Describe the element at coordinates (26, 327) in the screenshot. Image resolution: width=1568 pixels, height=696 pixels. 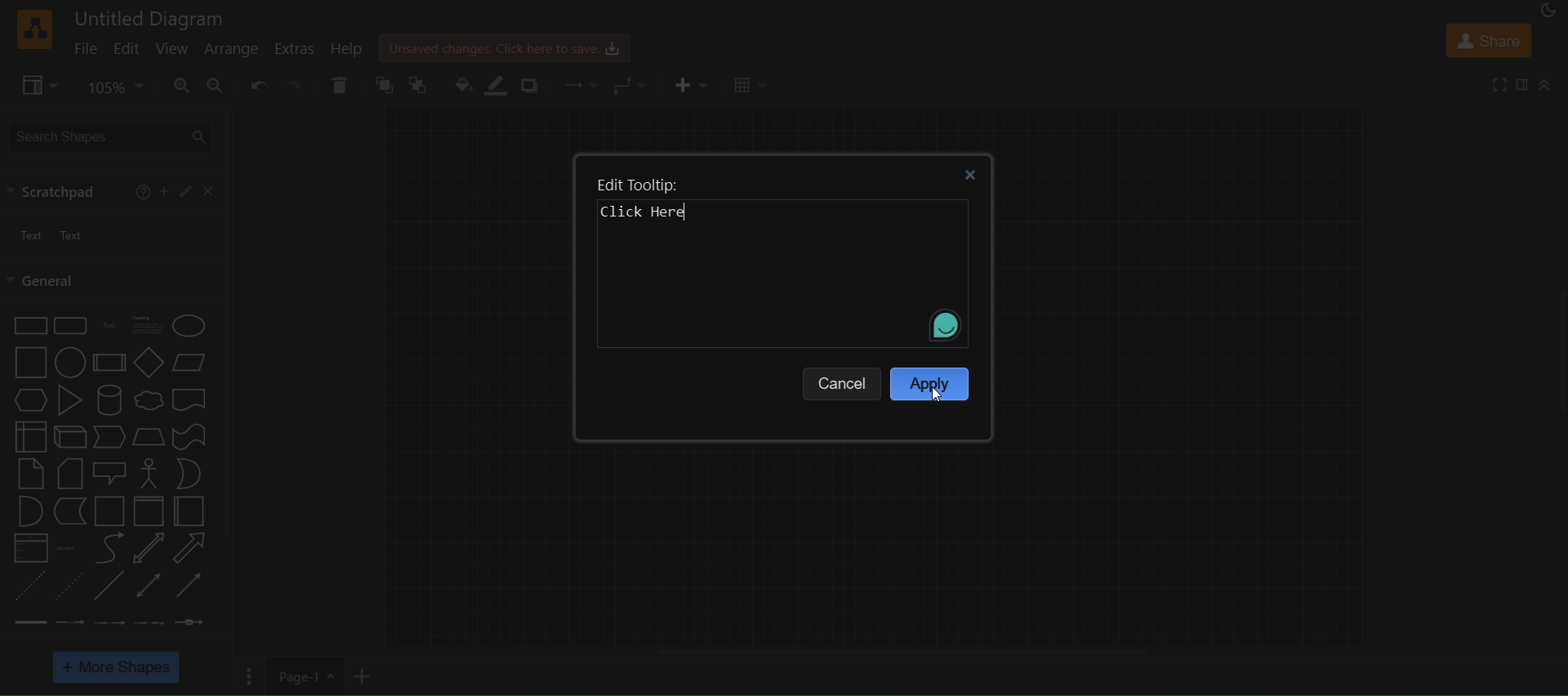
I see `rectangle` at that location.